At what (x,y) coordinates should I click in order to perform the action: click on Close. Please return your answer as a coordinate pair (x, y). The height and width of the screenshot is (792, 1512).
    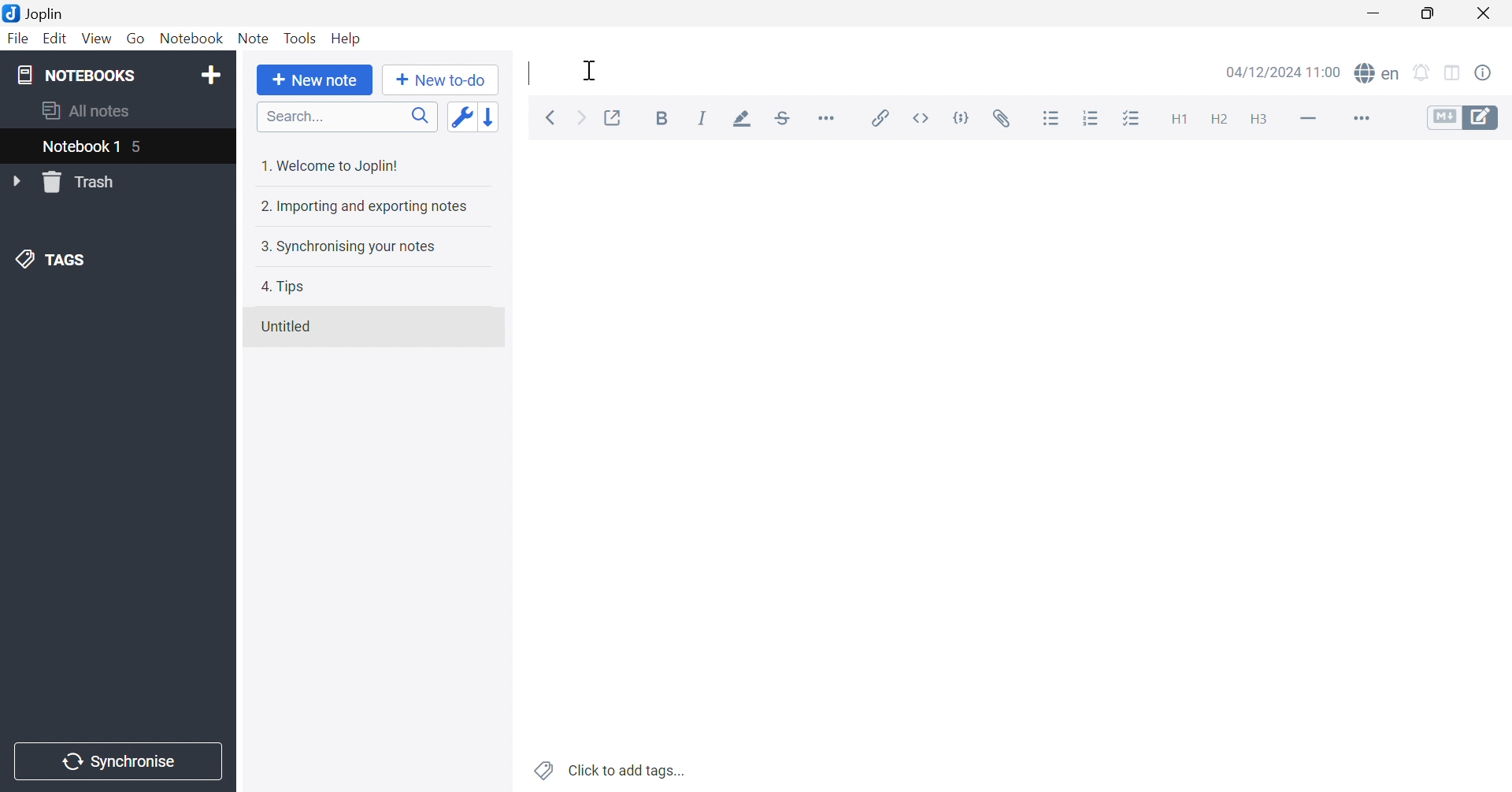
    Looking at the image, I should click on (1487, 14).